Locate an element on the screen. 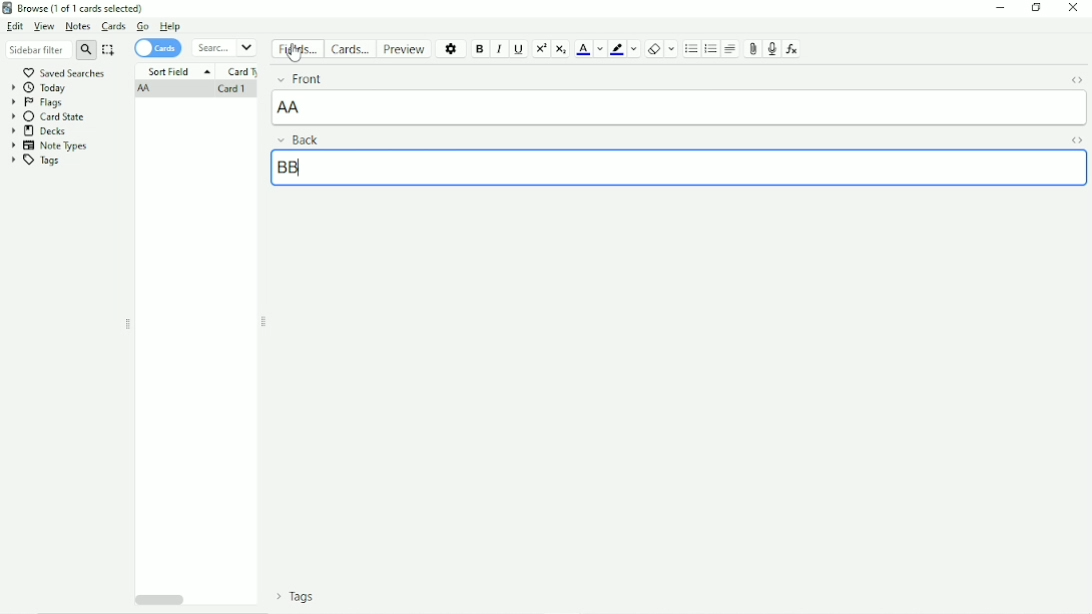 The width and height of the screenshot is (1092, 614). Bold is located at coordinates (480, 50).